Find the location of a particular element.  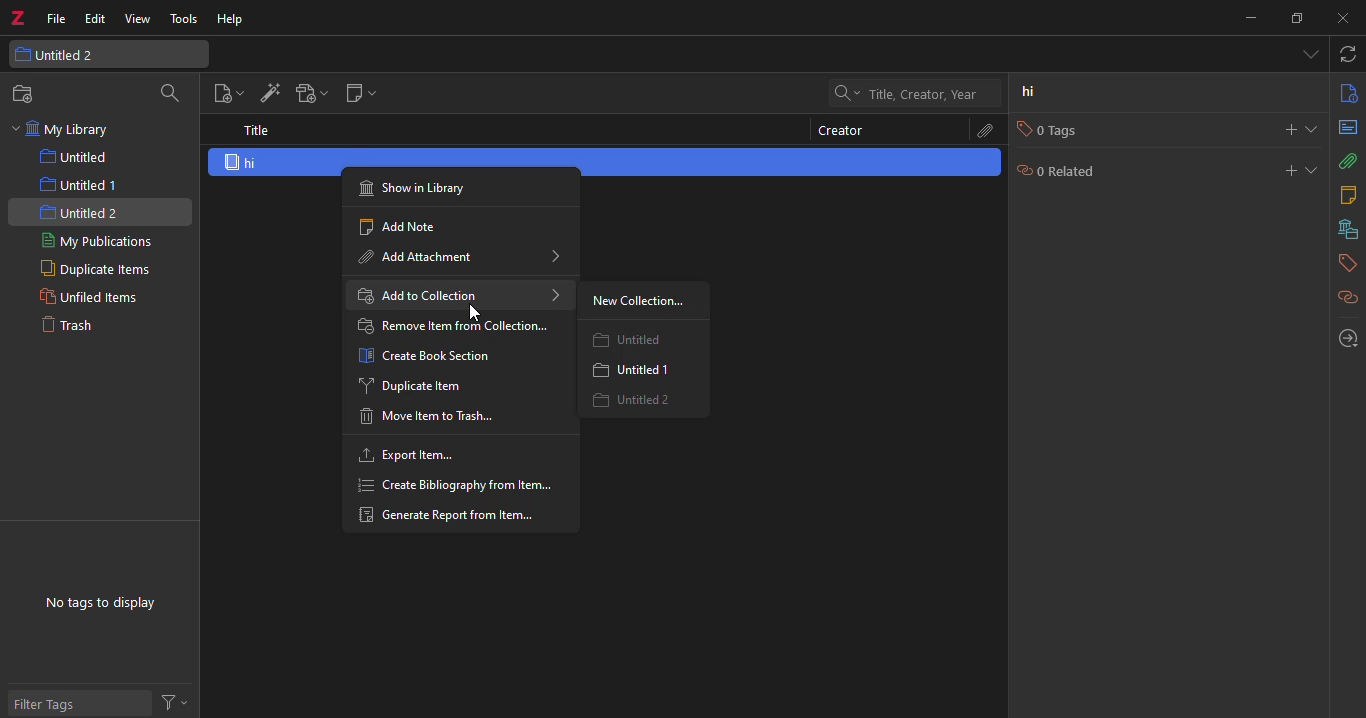

sync is located at coordinates (1345, 53).